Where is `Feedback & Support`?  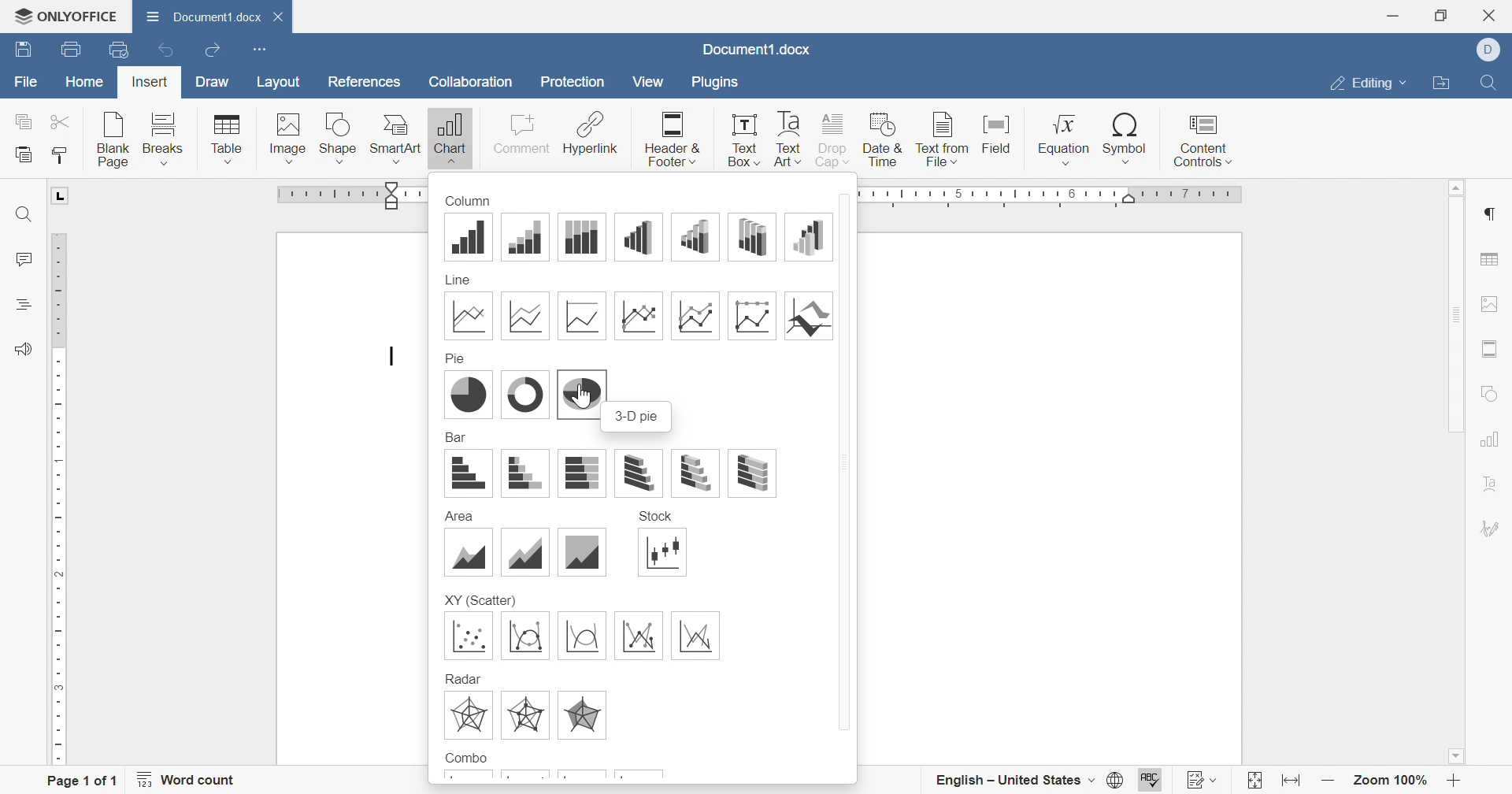 Feedback & Support is located at coordinates (24, 347).